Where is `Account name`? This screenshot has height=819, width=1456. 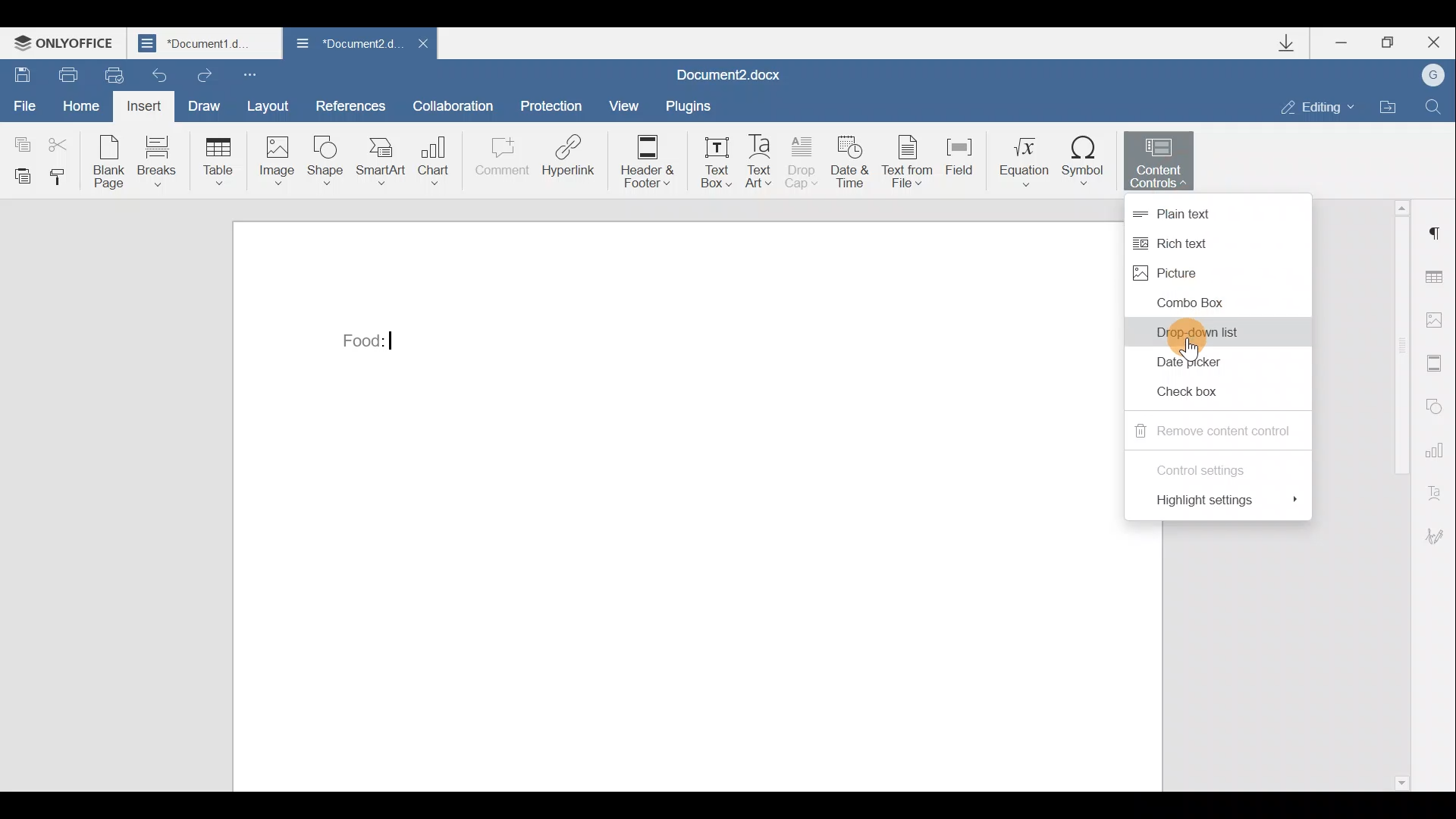
Account name is located at coordinates (1428, 76).